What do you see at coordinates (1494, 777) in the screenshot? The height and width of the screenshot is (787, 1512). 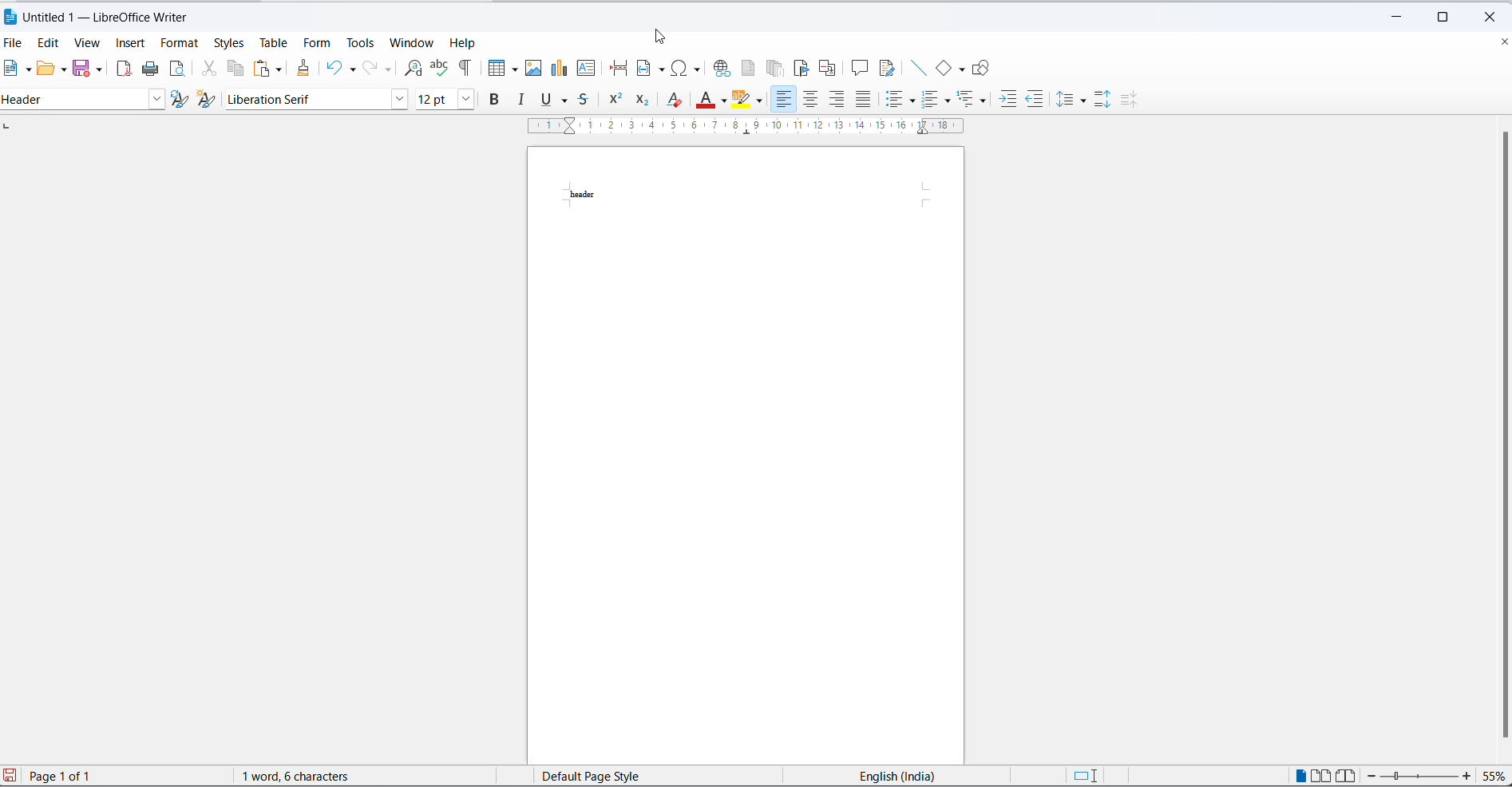 I see `zoom percentage` at bounding box center [1494, 777].